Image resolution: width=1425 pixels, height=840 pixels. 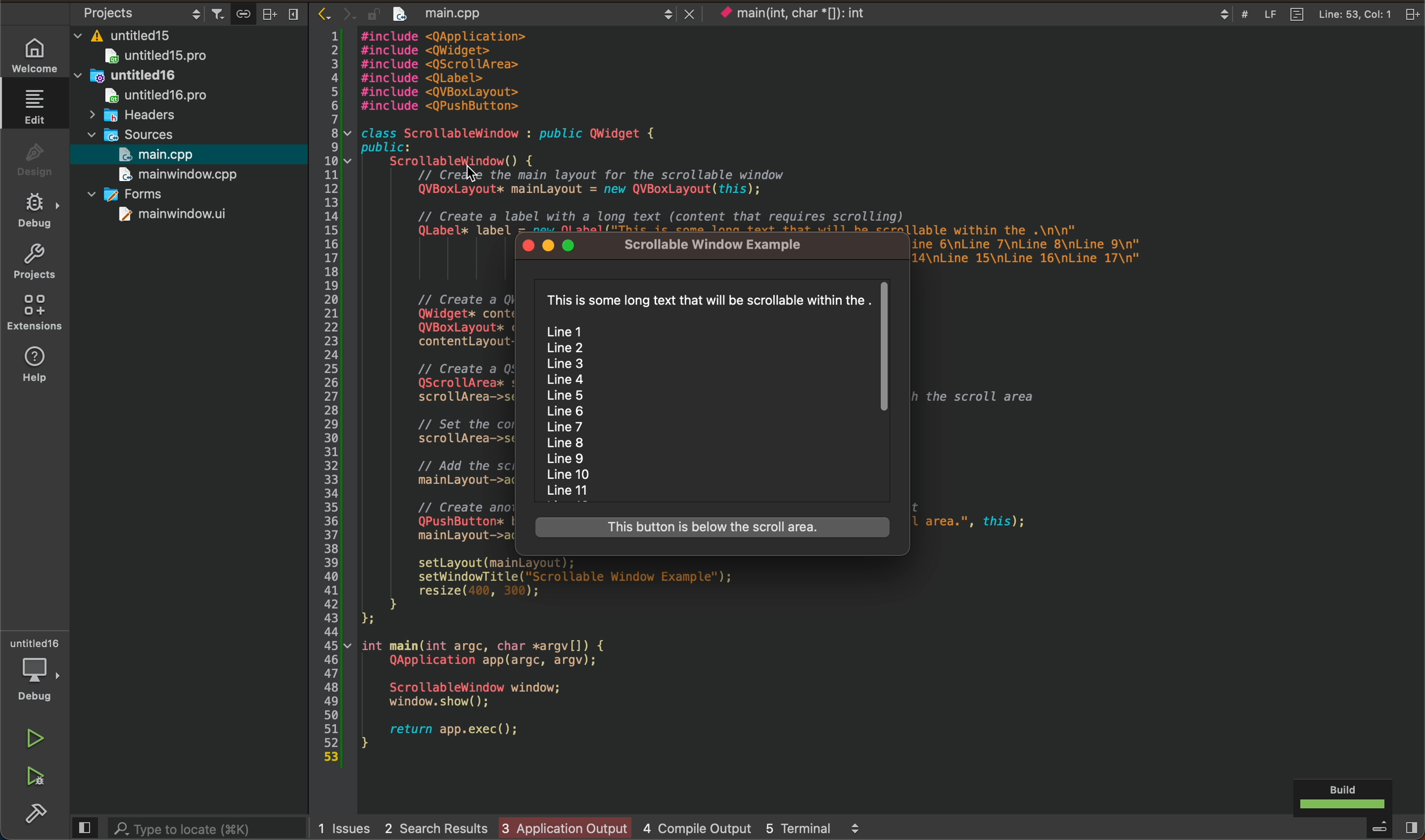 I want to click on run, so click(x=30, y=740).